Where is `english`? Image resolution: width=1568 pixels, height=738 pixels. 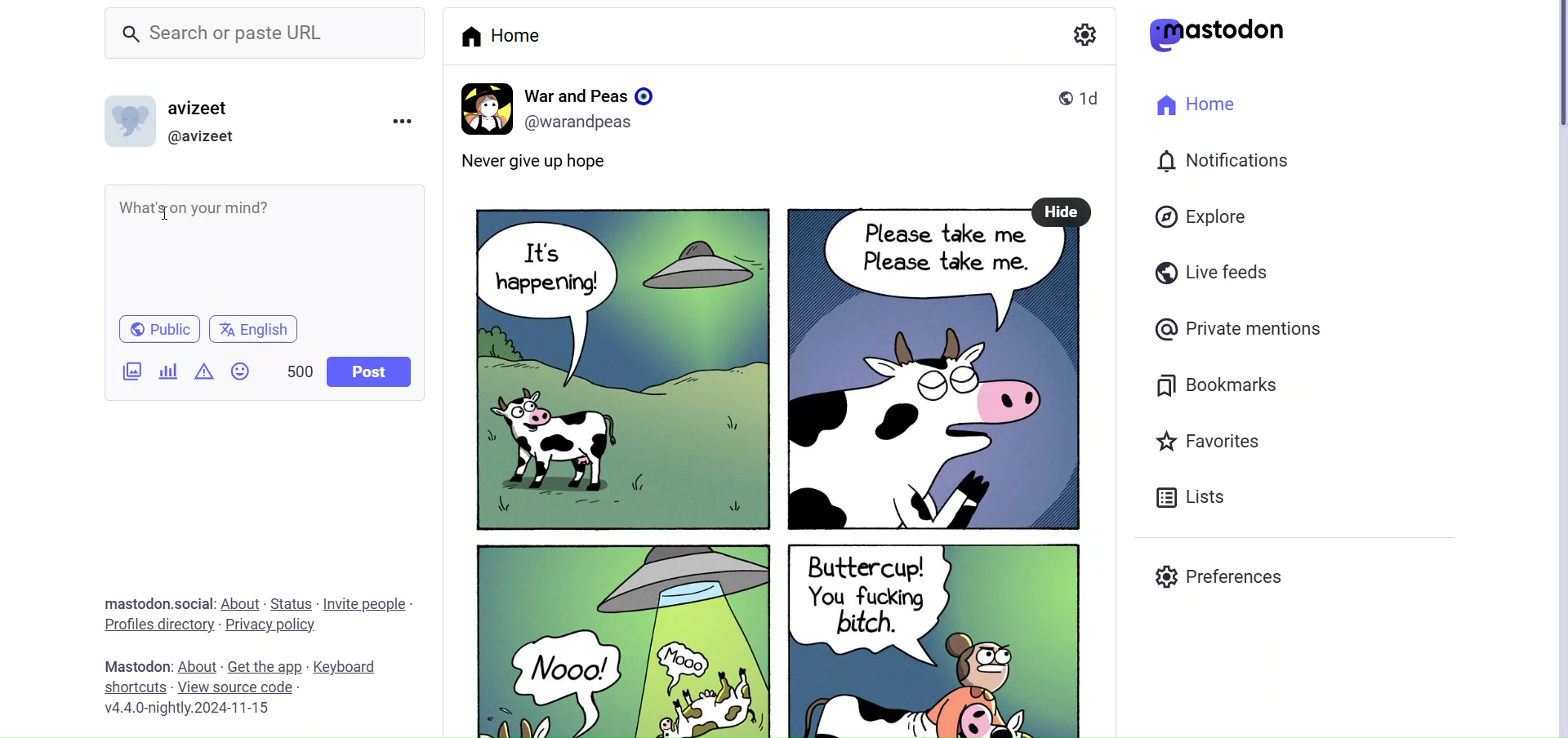 english is located at coordinates (255, 331).